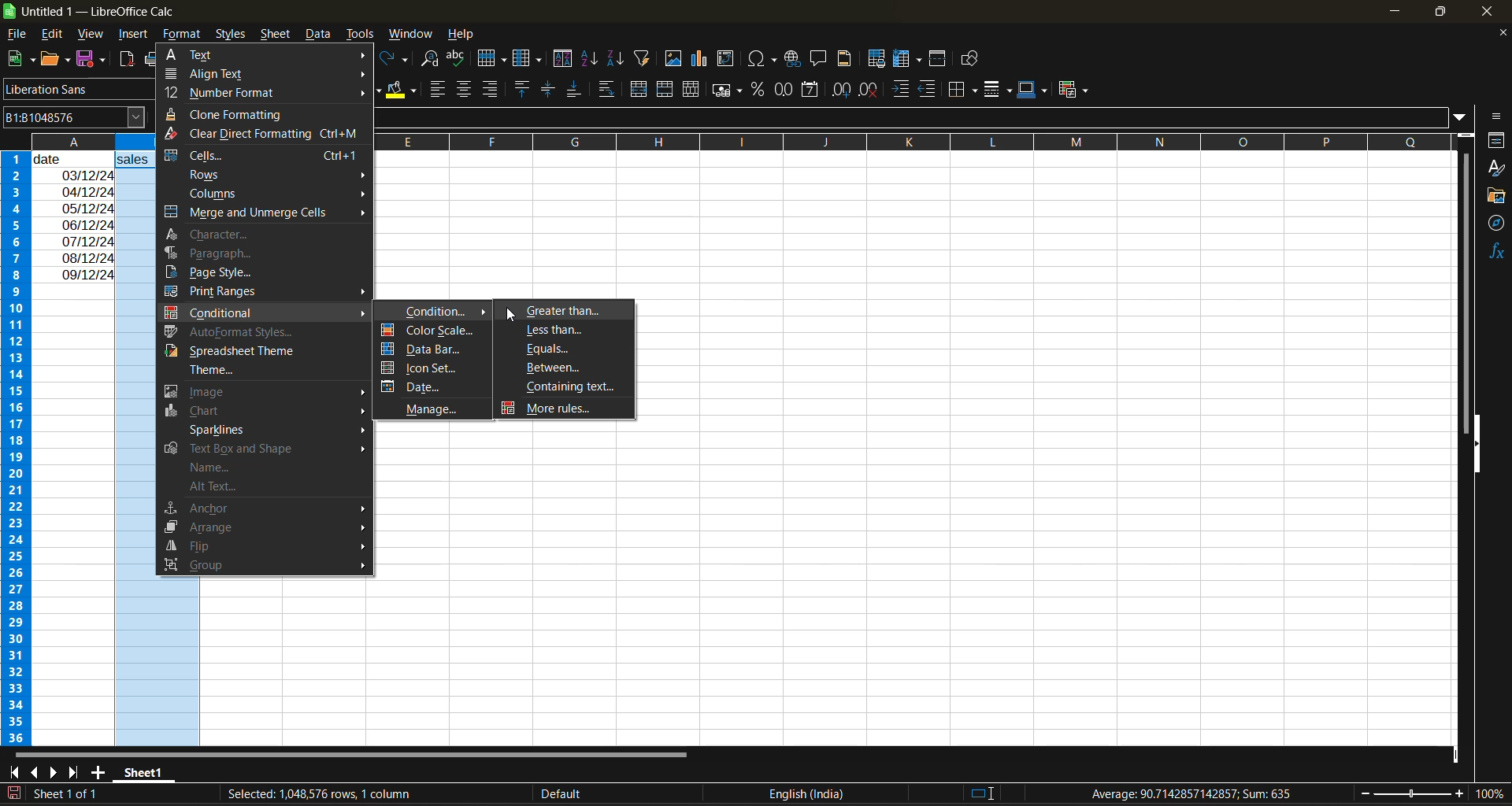  What do you see at coordinates (357, 753) in the screenshot?
I see `horizontal scroll bar` at bounding box center [357, 753].